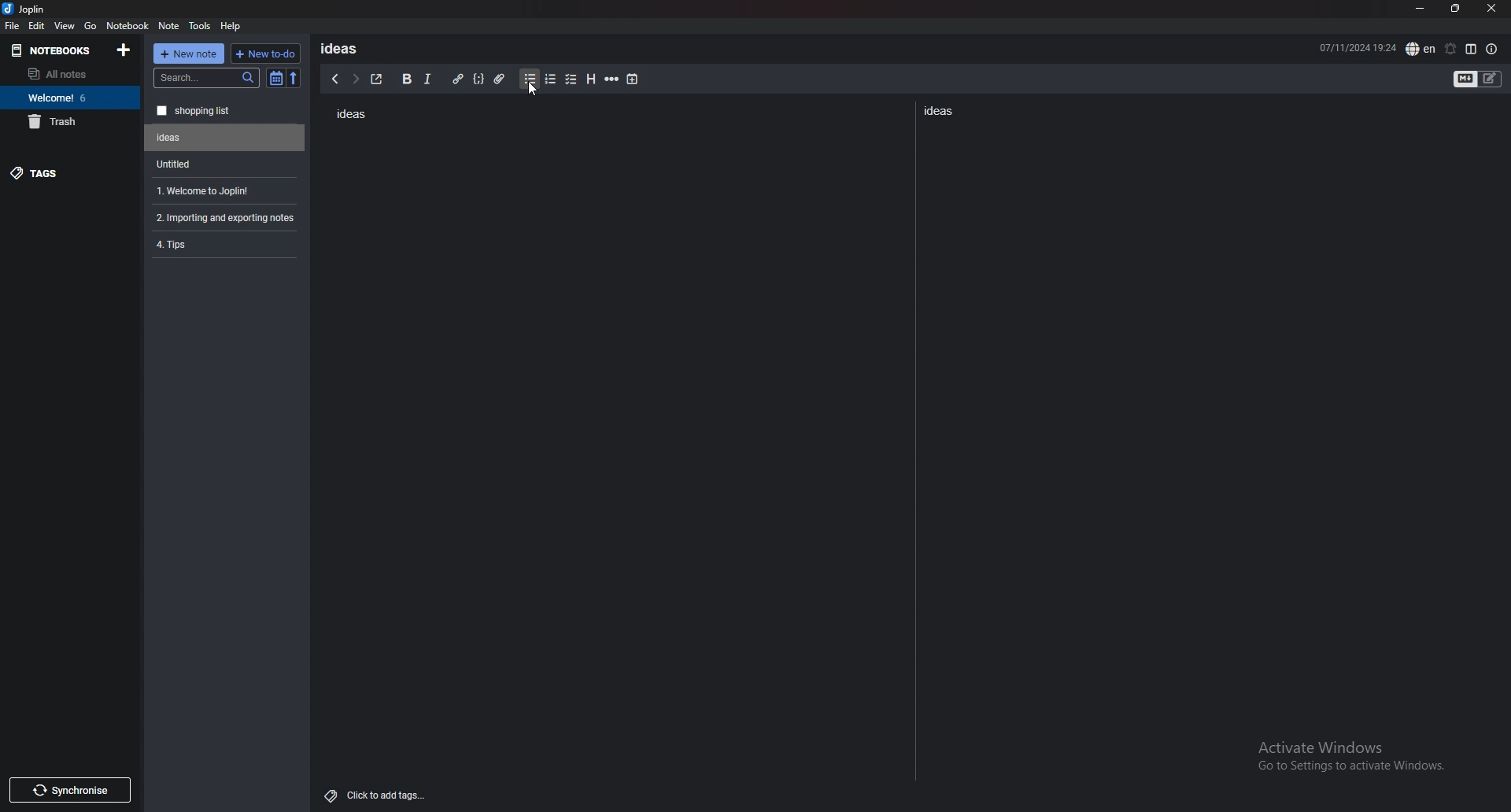 The image size is (1511, 812). Describe the element at coordinates (36, 26) in the screenshot. I see `edit` at that location.